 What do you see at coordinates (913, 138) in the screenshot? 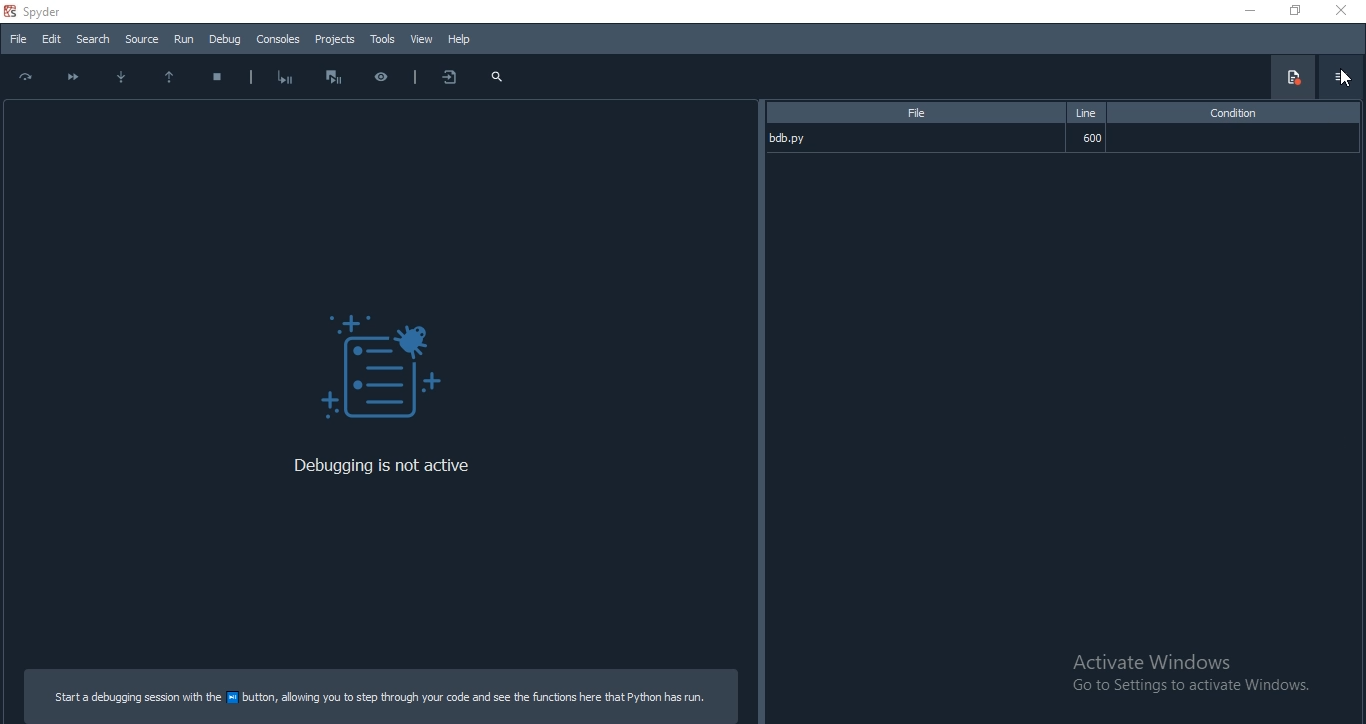
I see `bdp.py` at bounding box center [913, 138].